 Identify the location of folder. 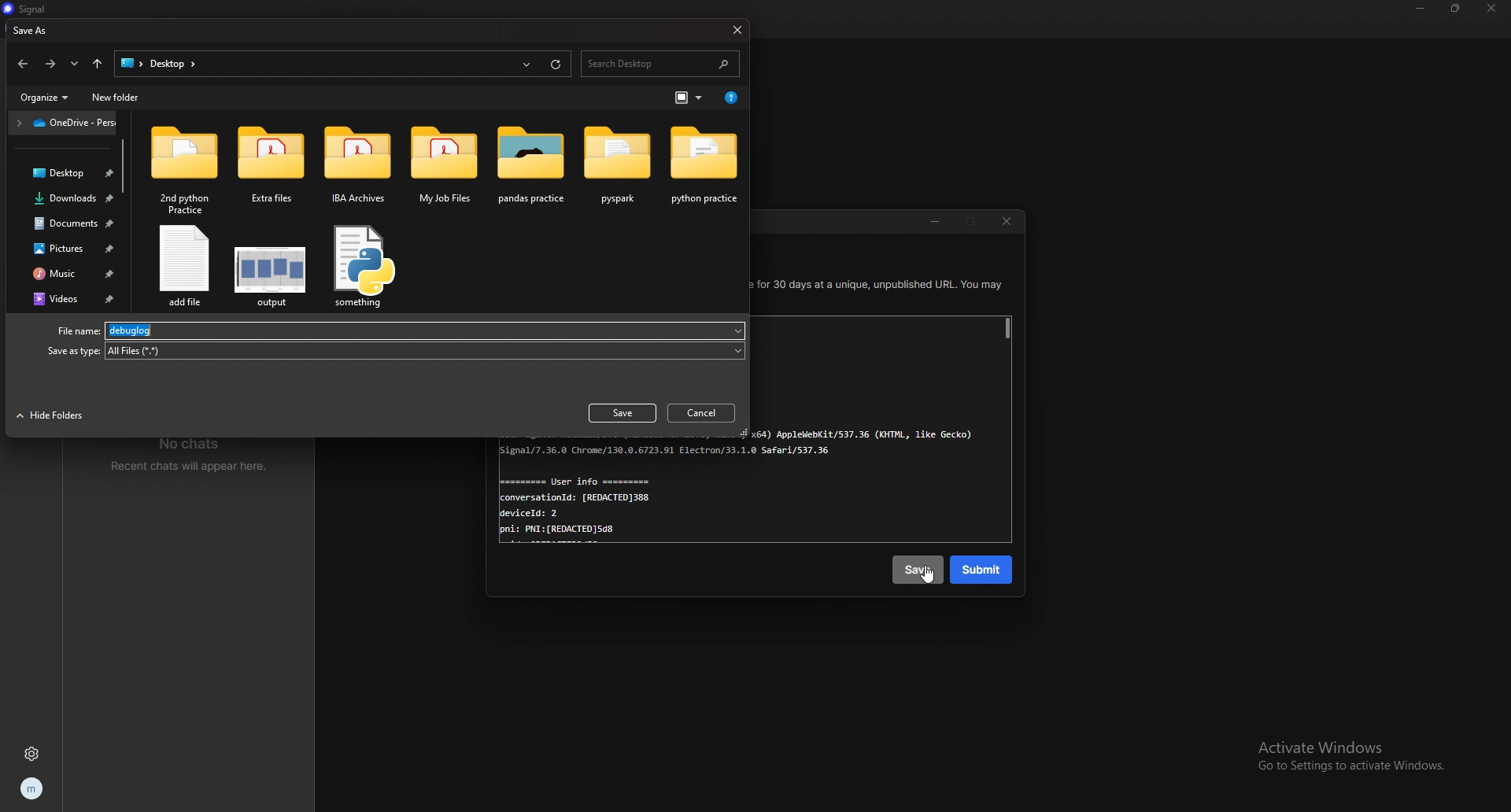
(357, 168).